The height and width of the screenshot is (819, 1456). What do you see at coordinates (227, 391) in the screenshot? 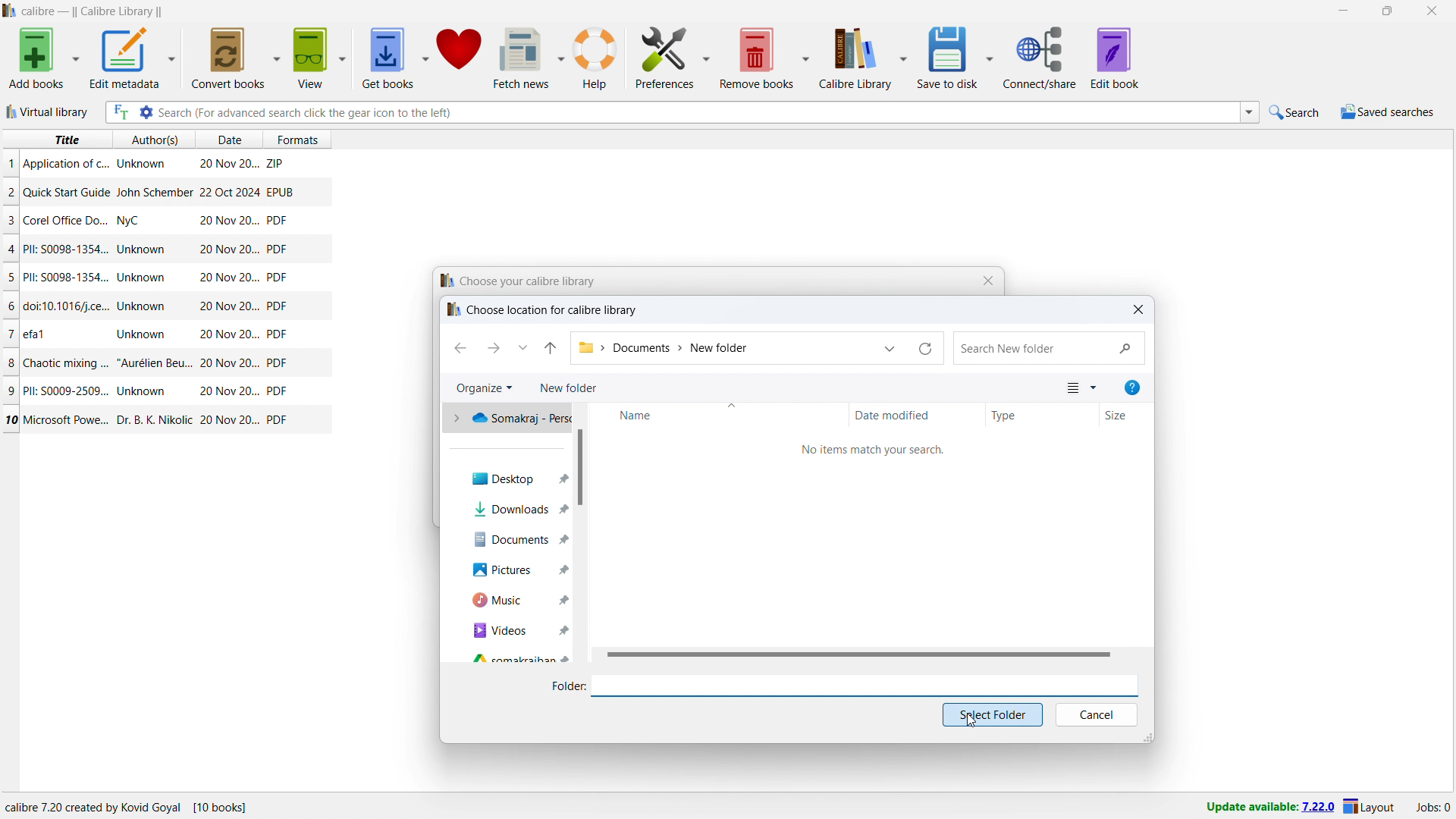
I see `Date` at bounding box center [227, 391].